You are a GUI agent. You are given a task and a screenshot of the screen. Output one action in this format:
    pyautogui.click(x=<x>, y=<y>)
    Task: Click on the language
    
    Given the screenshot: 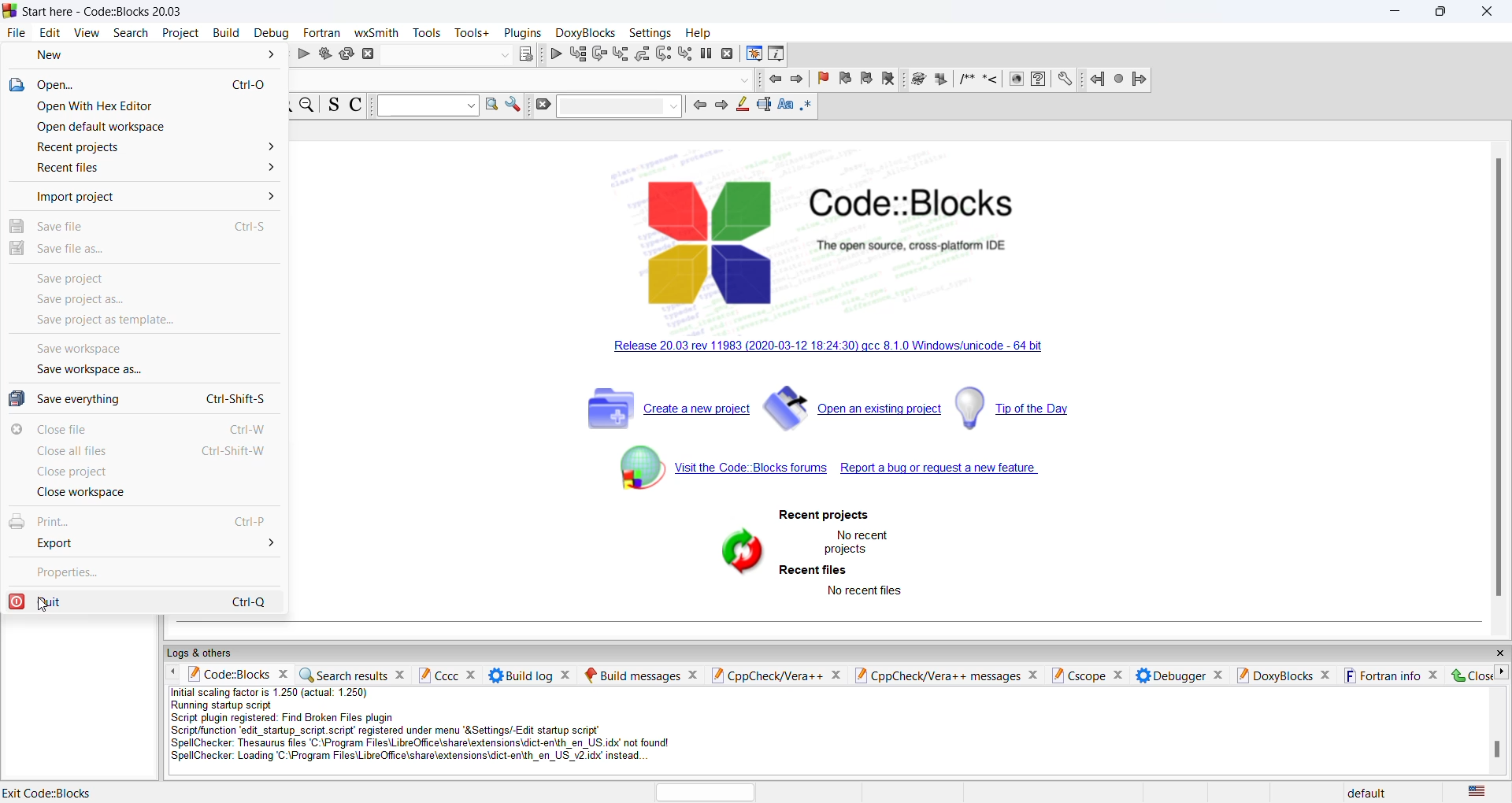 What is the action you would take?
    pyautogui.click(x=1476, y=792)
    